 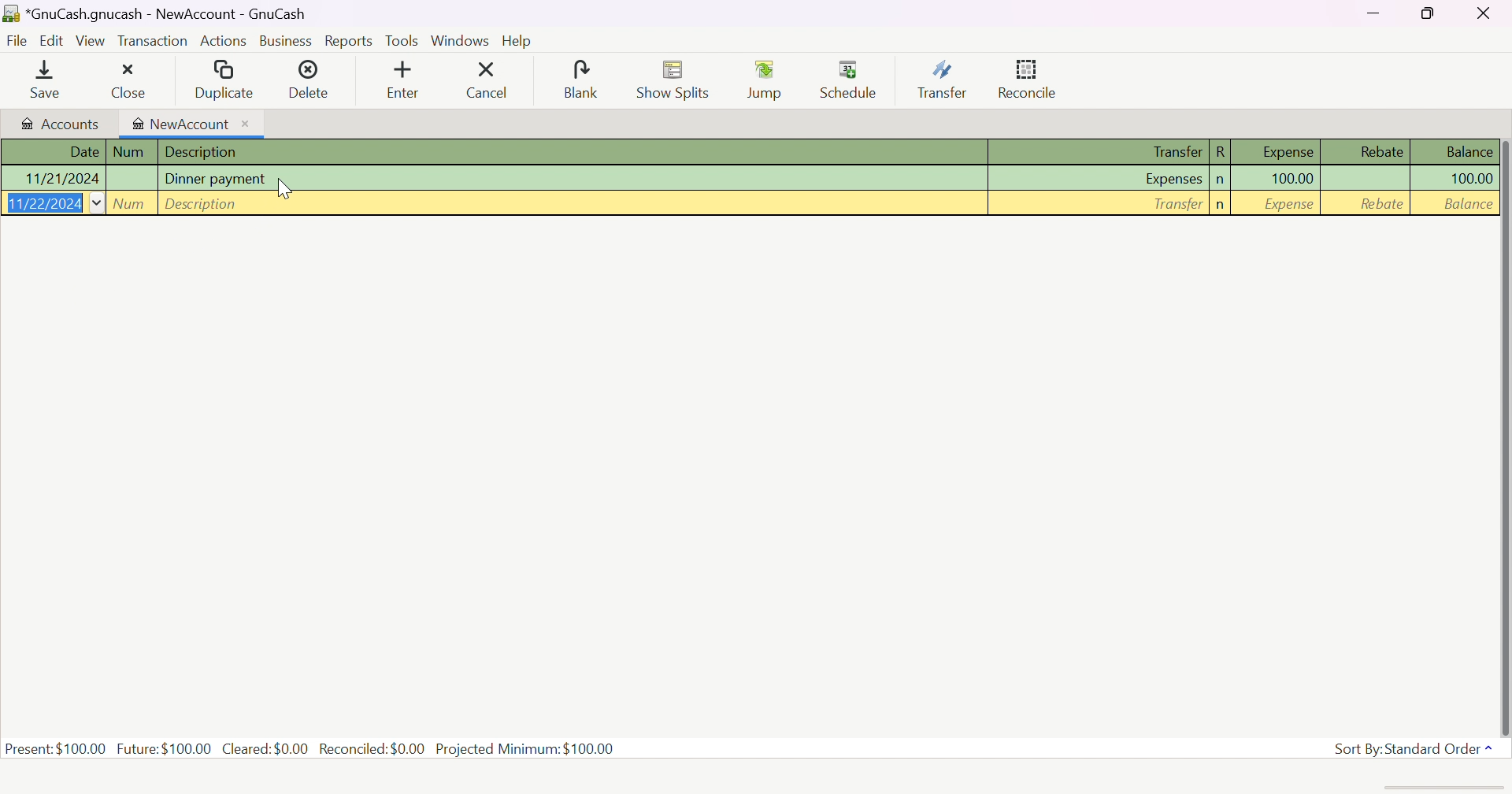 What do you see at coordinates (191, 124) in the screenshot?
I see `NewAccount` at bounding box center [191, 124].